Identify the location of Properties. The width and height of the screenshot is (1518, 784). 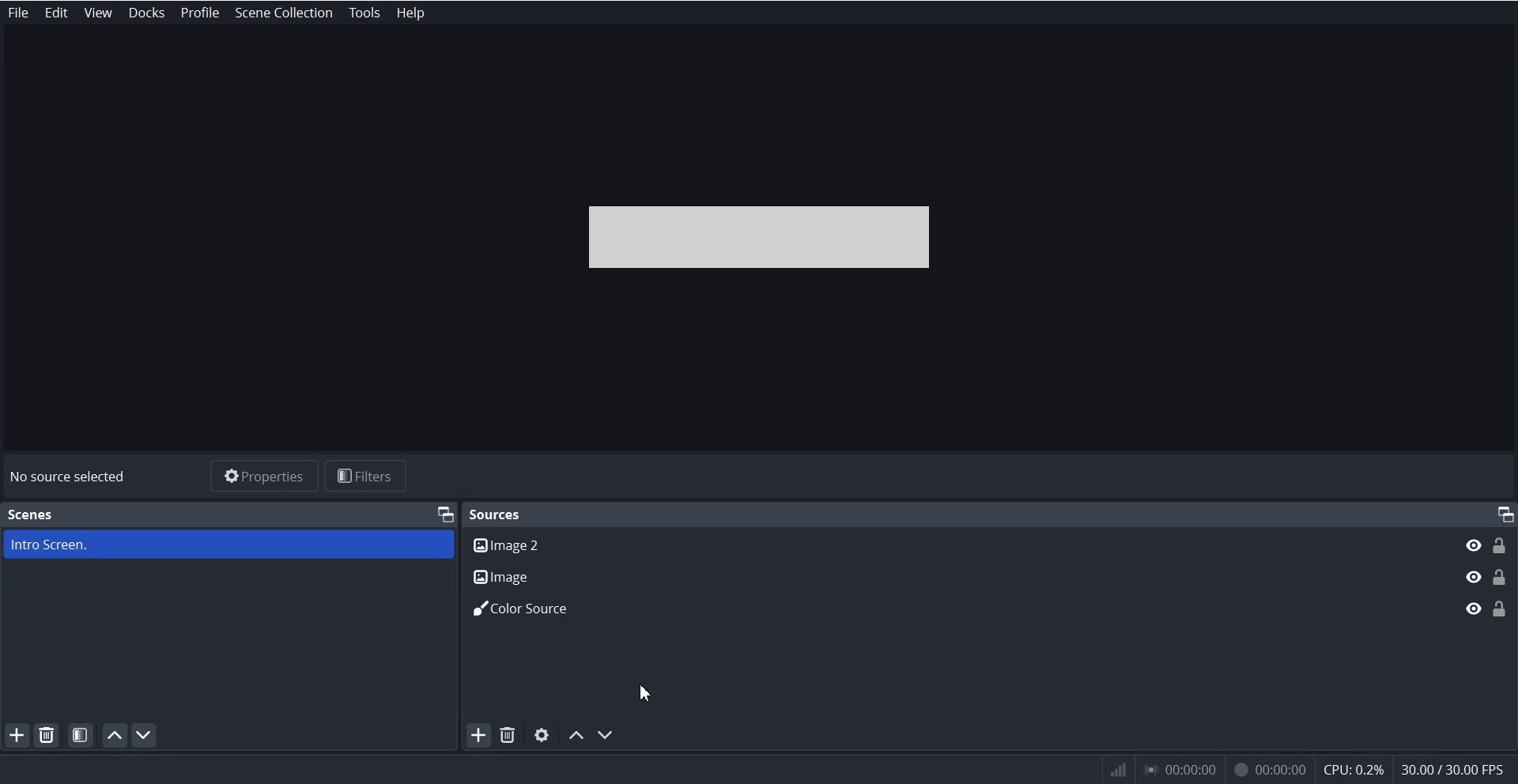
(263, 475).